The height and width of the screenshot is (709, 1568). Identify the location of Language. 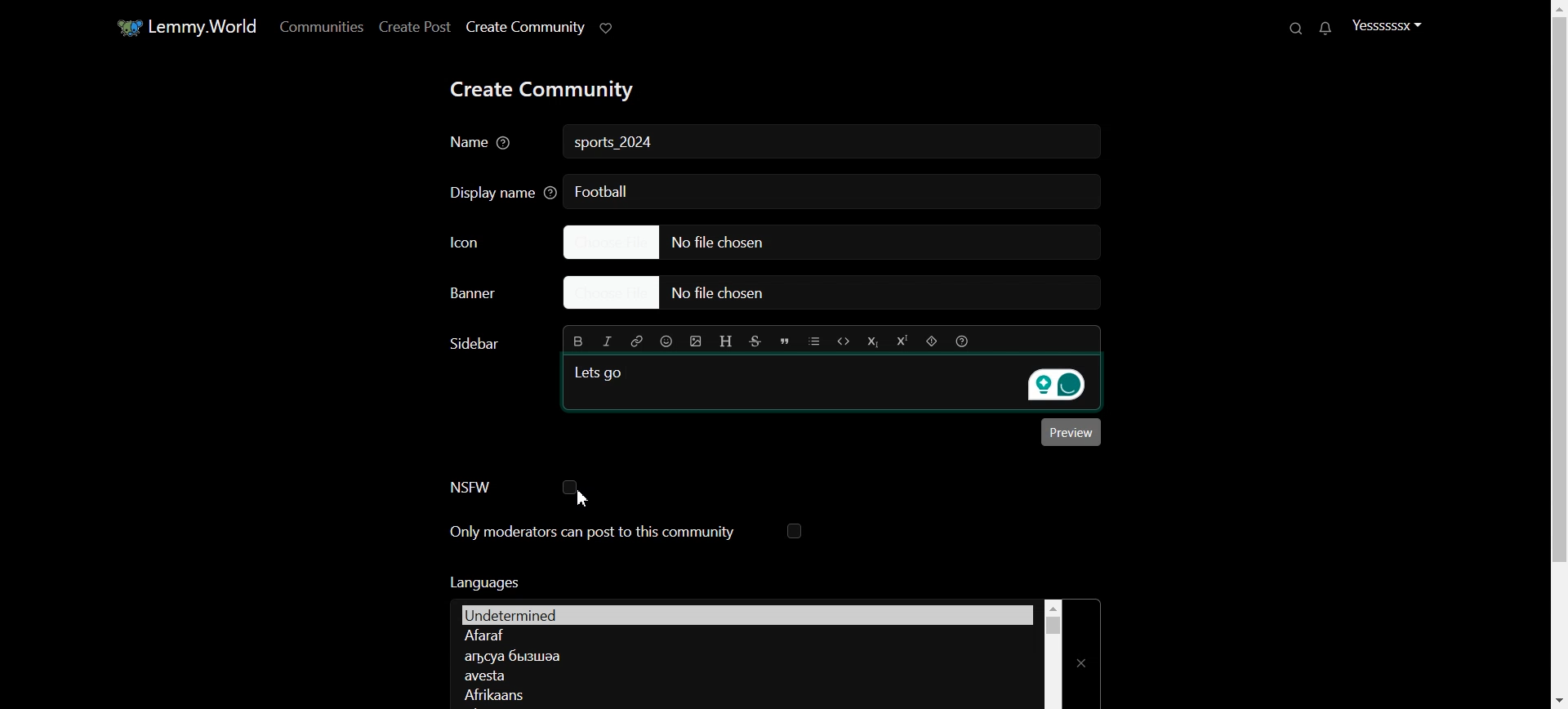
(742, 655).